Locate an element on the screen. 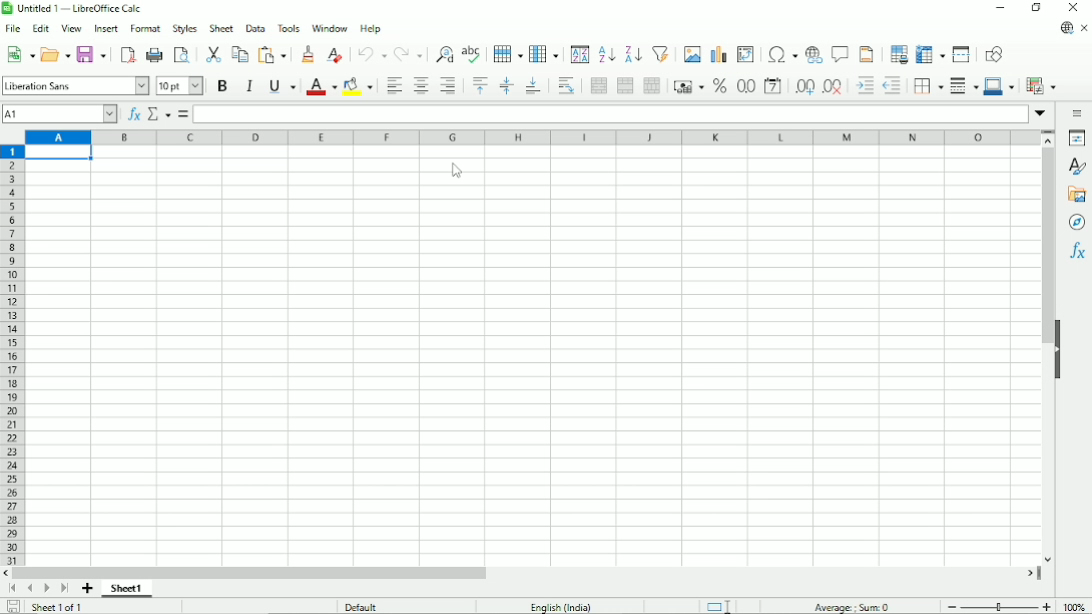 This screenshot has height=614, width=1092. Find and replace is located at coordinates (442, 53).